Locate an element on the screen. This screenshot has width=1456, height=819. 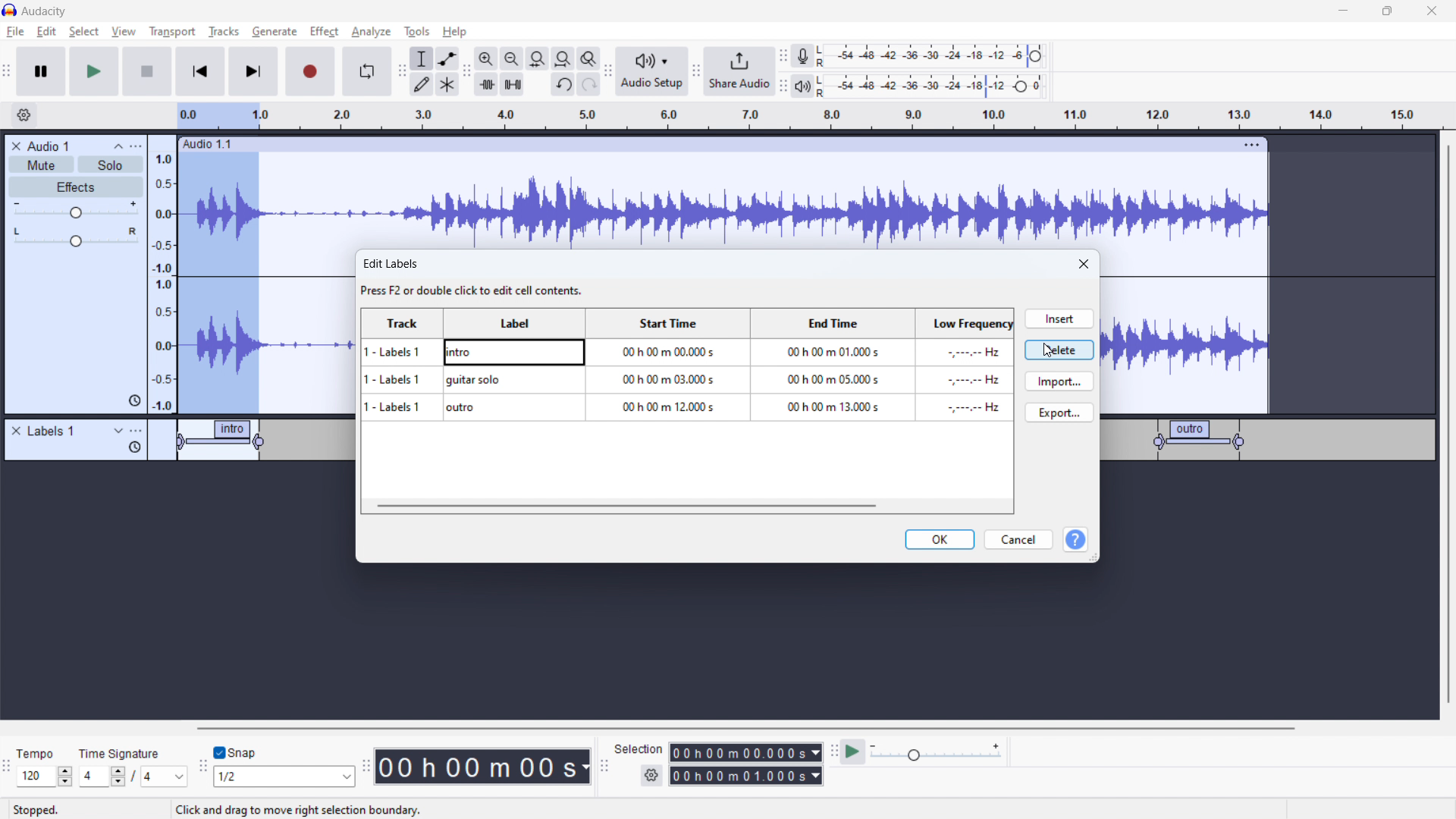
help is located at coordinates (1075, 541).